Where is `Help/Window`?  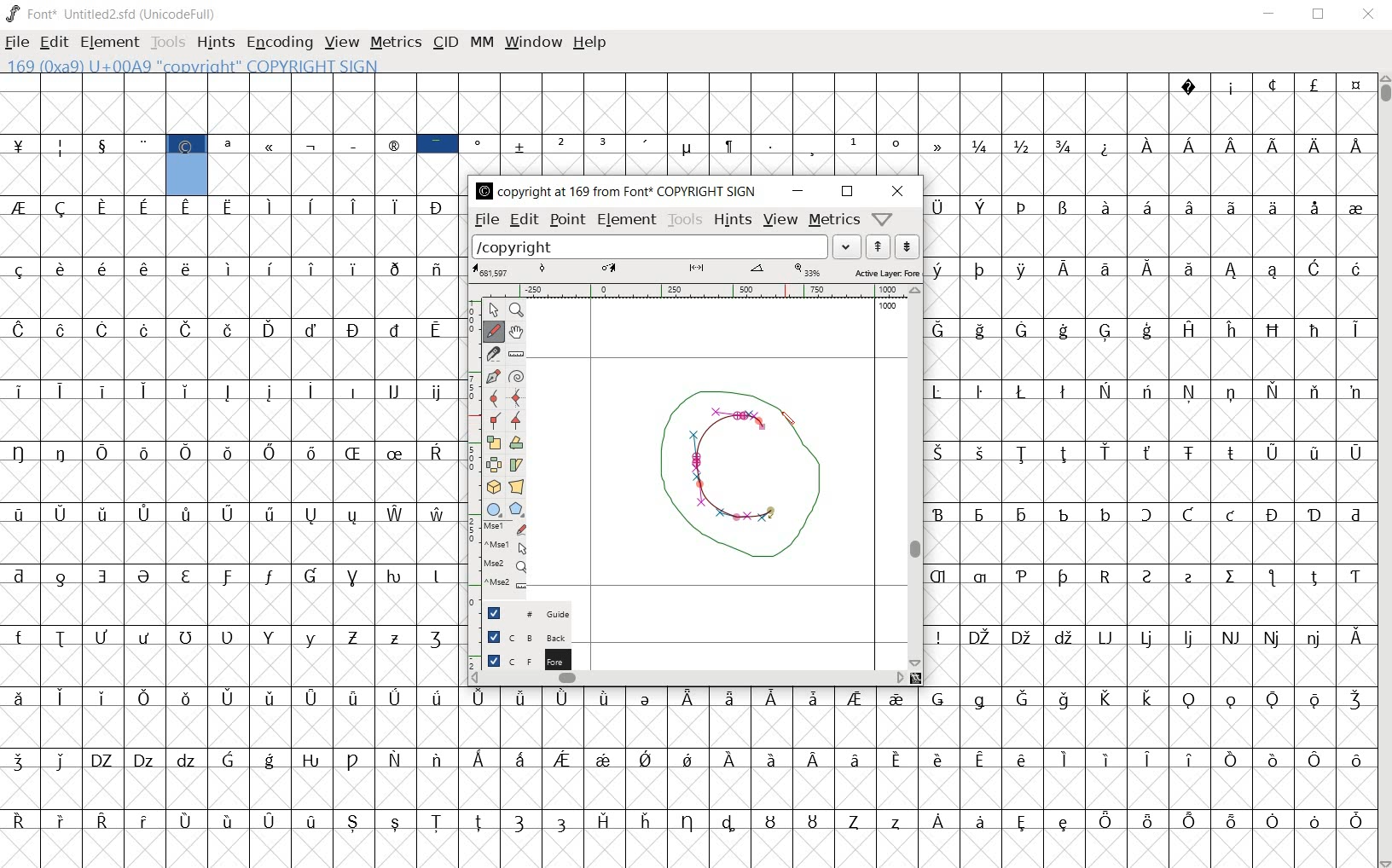
Help/Window is located at coordinates (884, 218).